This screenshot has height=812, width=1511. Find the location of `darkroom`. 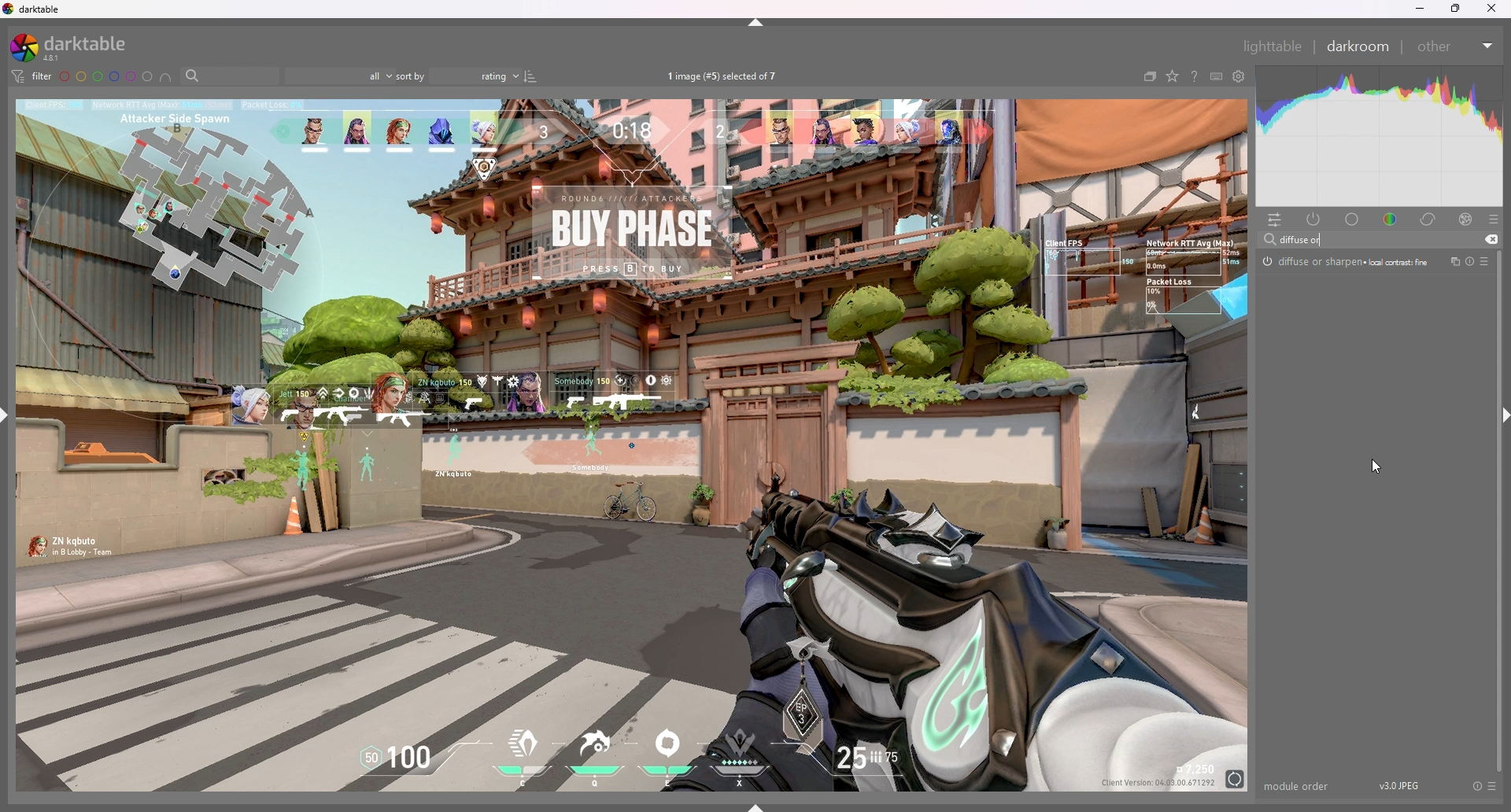

darkroom is located at coordinates (1361, 46).